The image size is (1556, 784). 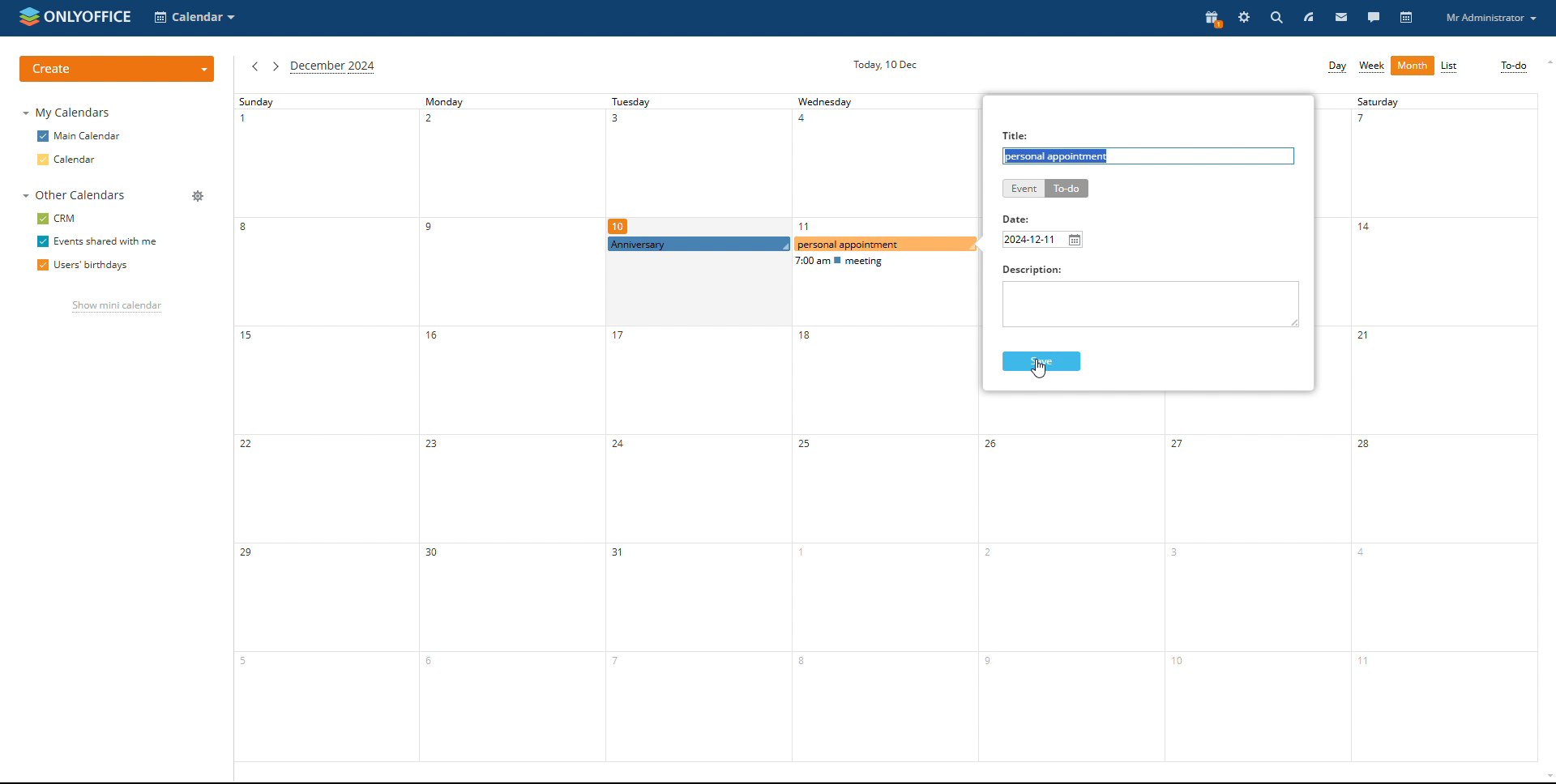 I want to click on settings, so click(x=1243, y=18).